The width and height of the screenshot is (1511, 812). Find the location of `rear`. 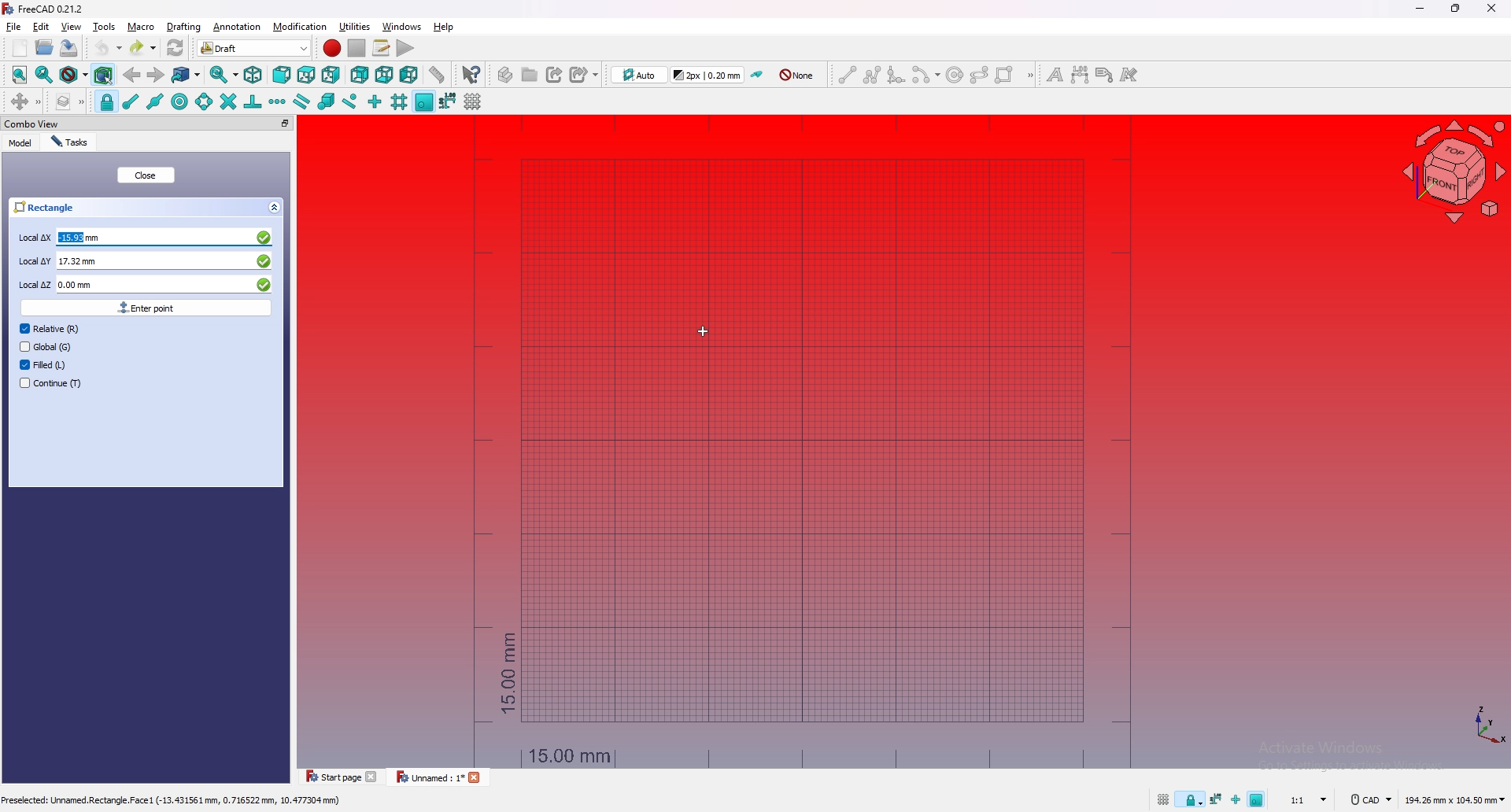

rear is located at coordinates (360, 76).